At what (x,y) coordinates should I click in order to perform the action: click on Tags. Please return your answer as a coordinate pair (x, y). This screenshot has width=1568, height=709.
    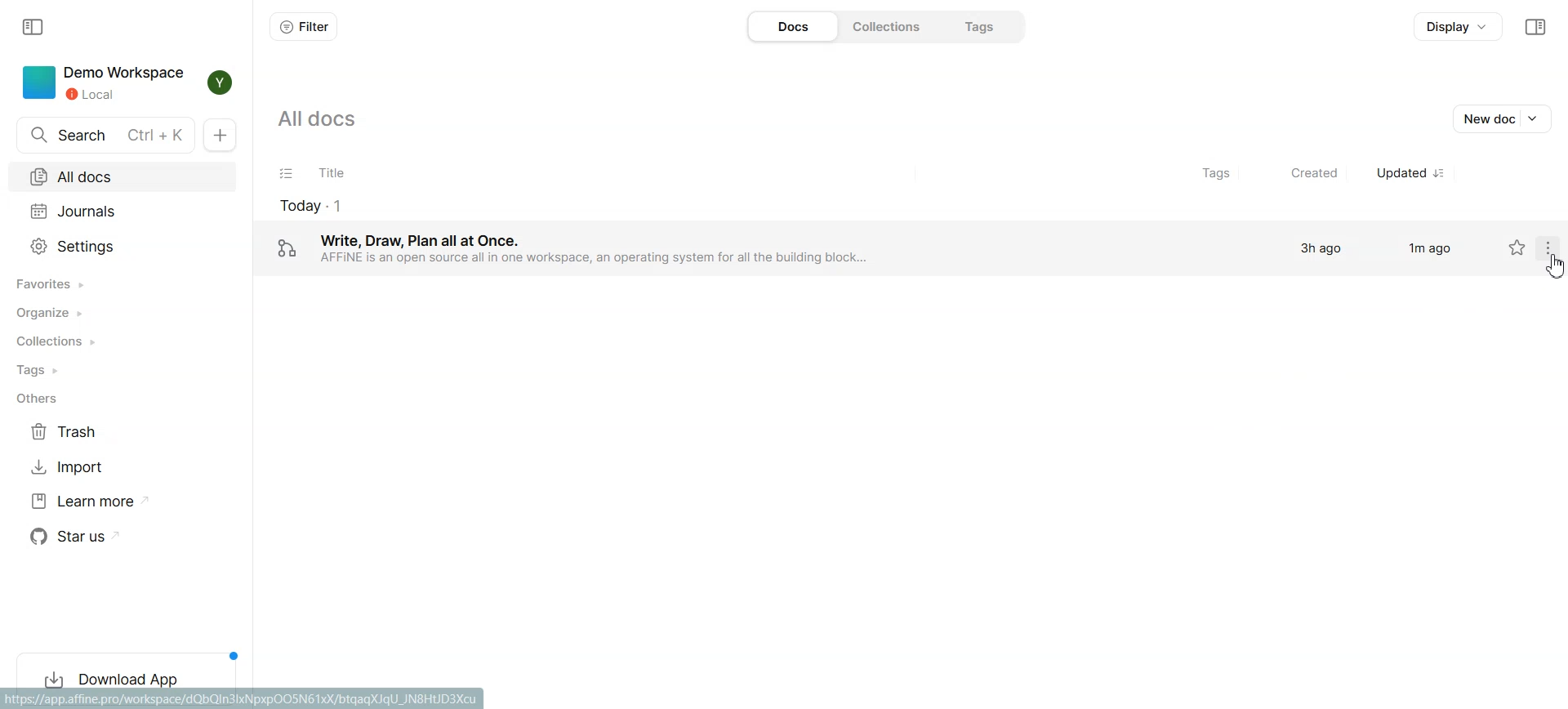
    Looking at the image, I should click on (1214, 174).